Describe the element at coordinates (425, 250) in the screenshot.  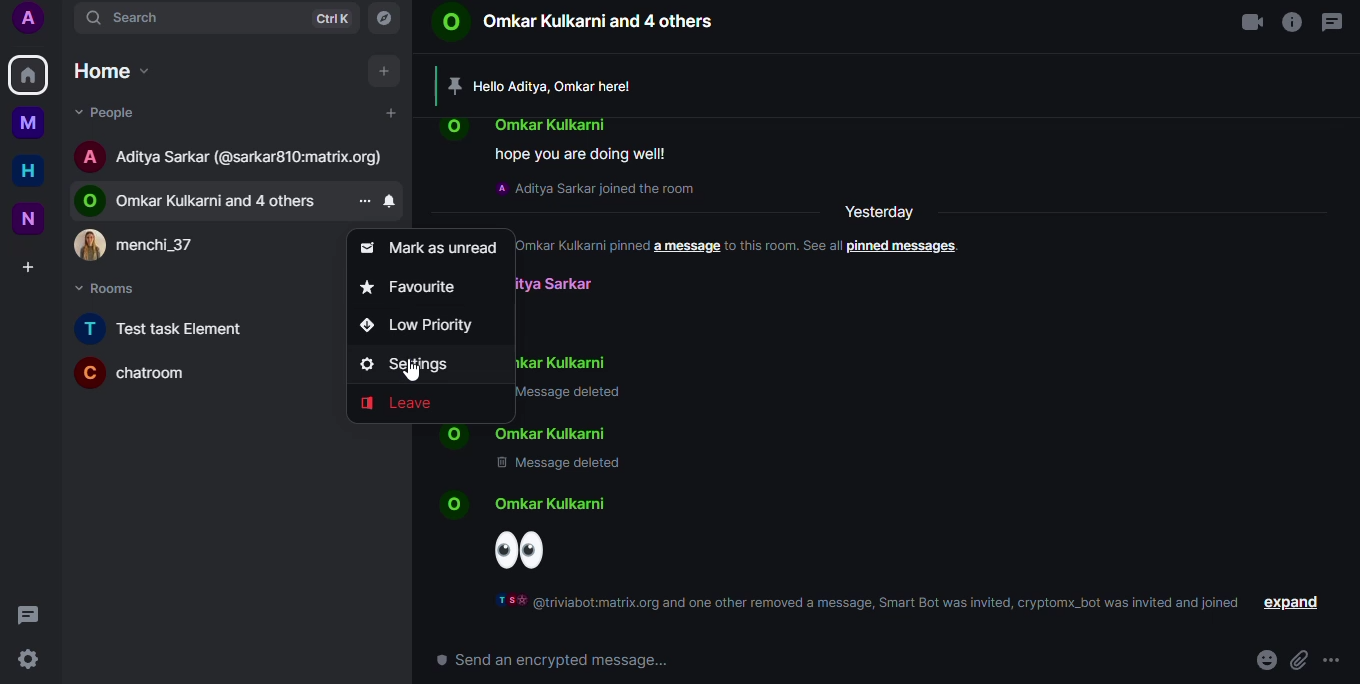
I see `mark as unread` at that location.